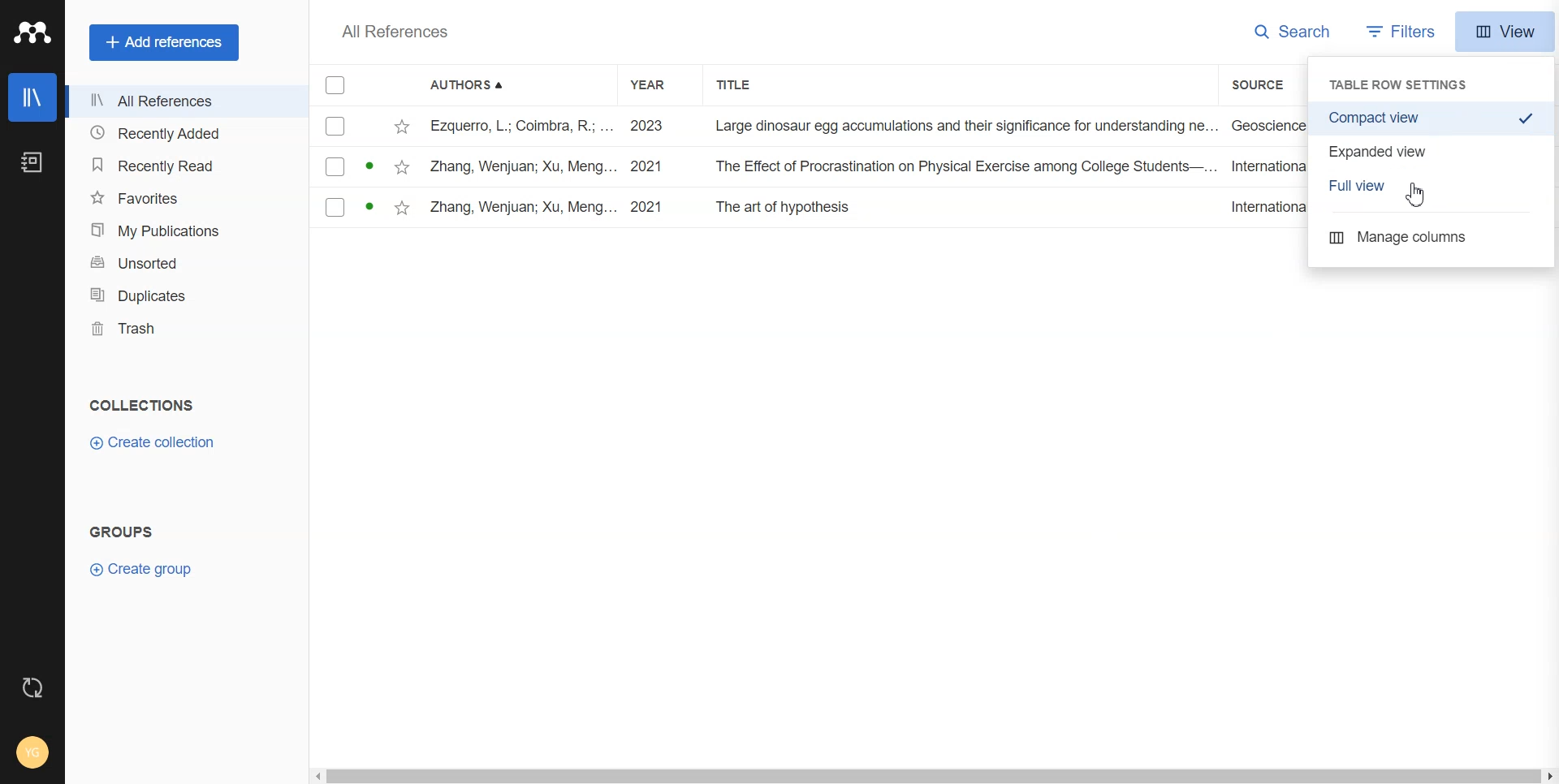  What do you see at coordinates (173, 329) in the screenshot?
I see `Trash` at bounding box center [173, 329].